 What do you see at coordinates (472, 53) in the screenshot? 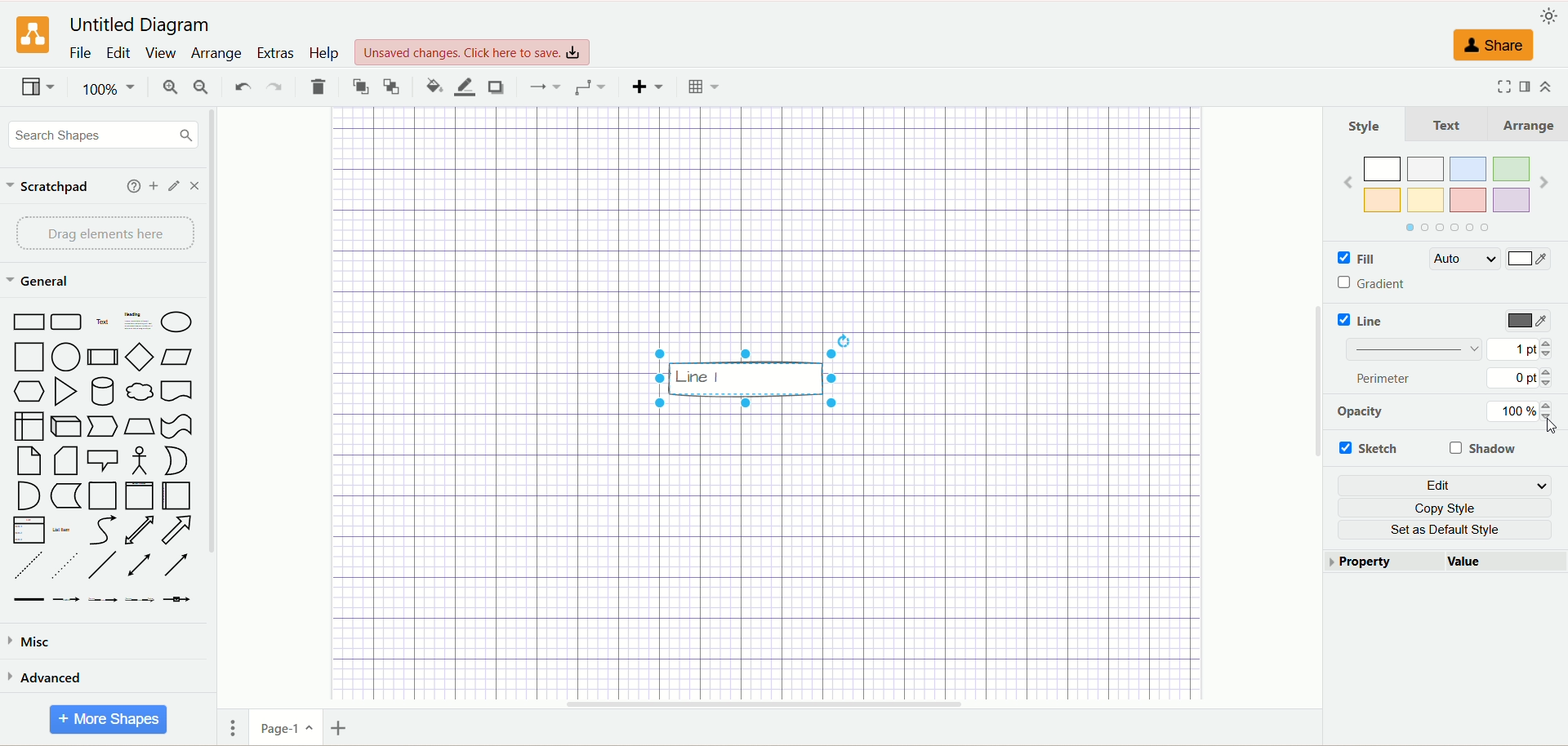
I see `Unsaved changes. click here to save` at bounding box center [472, 53].